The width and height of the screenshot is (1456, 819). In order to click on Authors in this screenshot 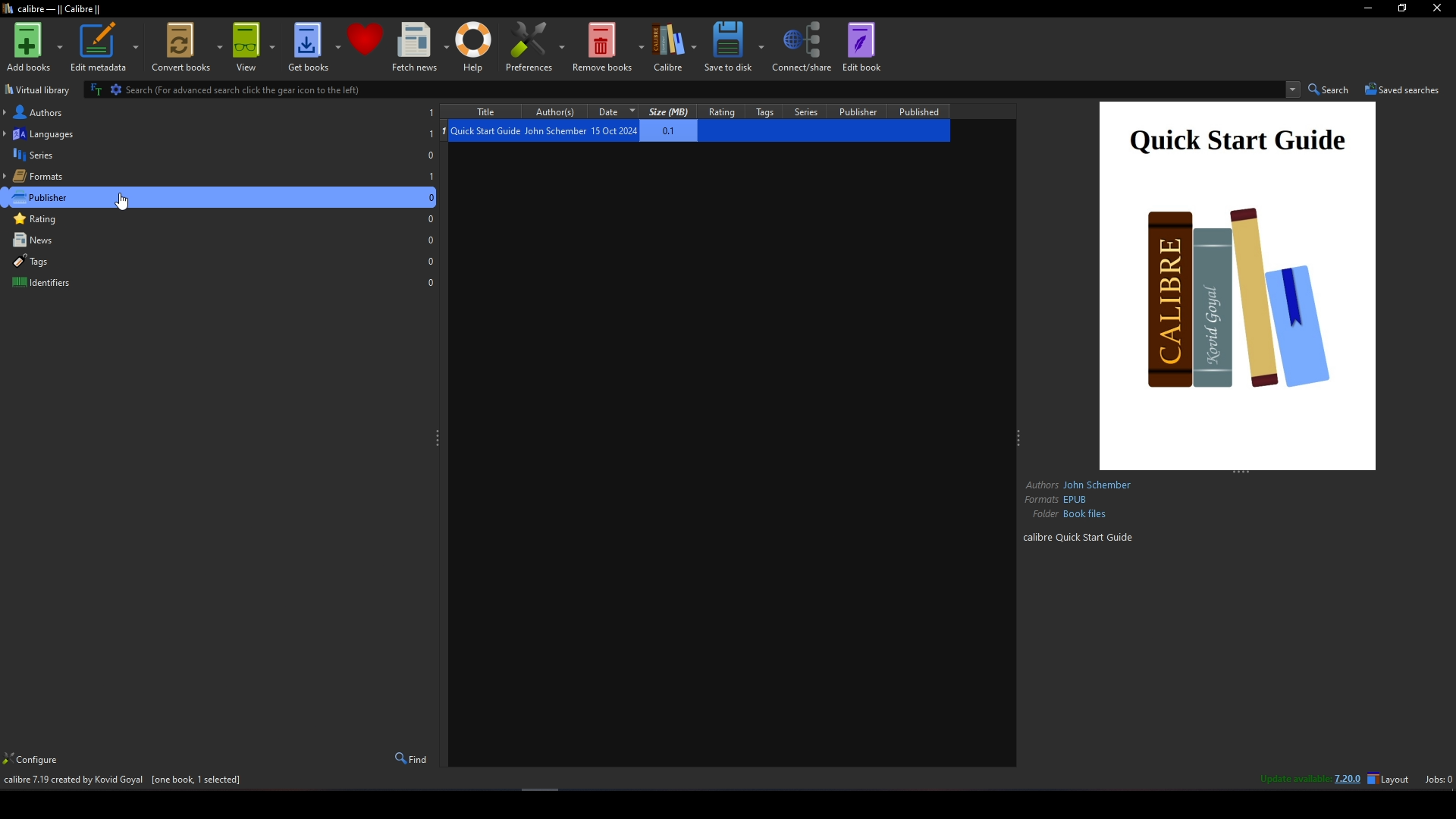, I will do `click(561, 111)`.